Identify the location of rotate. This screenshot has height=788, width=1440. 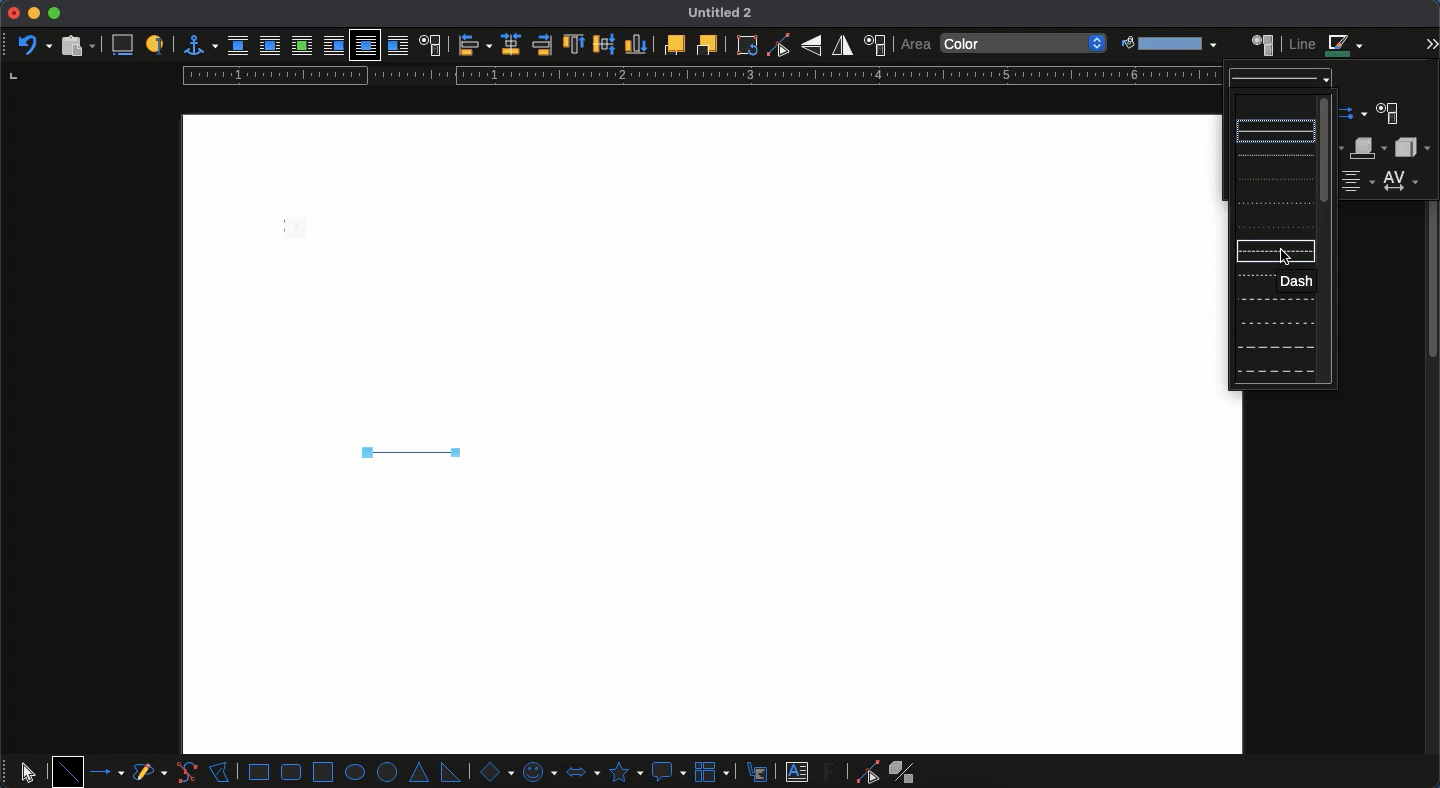
(747, 45).